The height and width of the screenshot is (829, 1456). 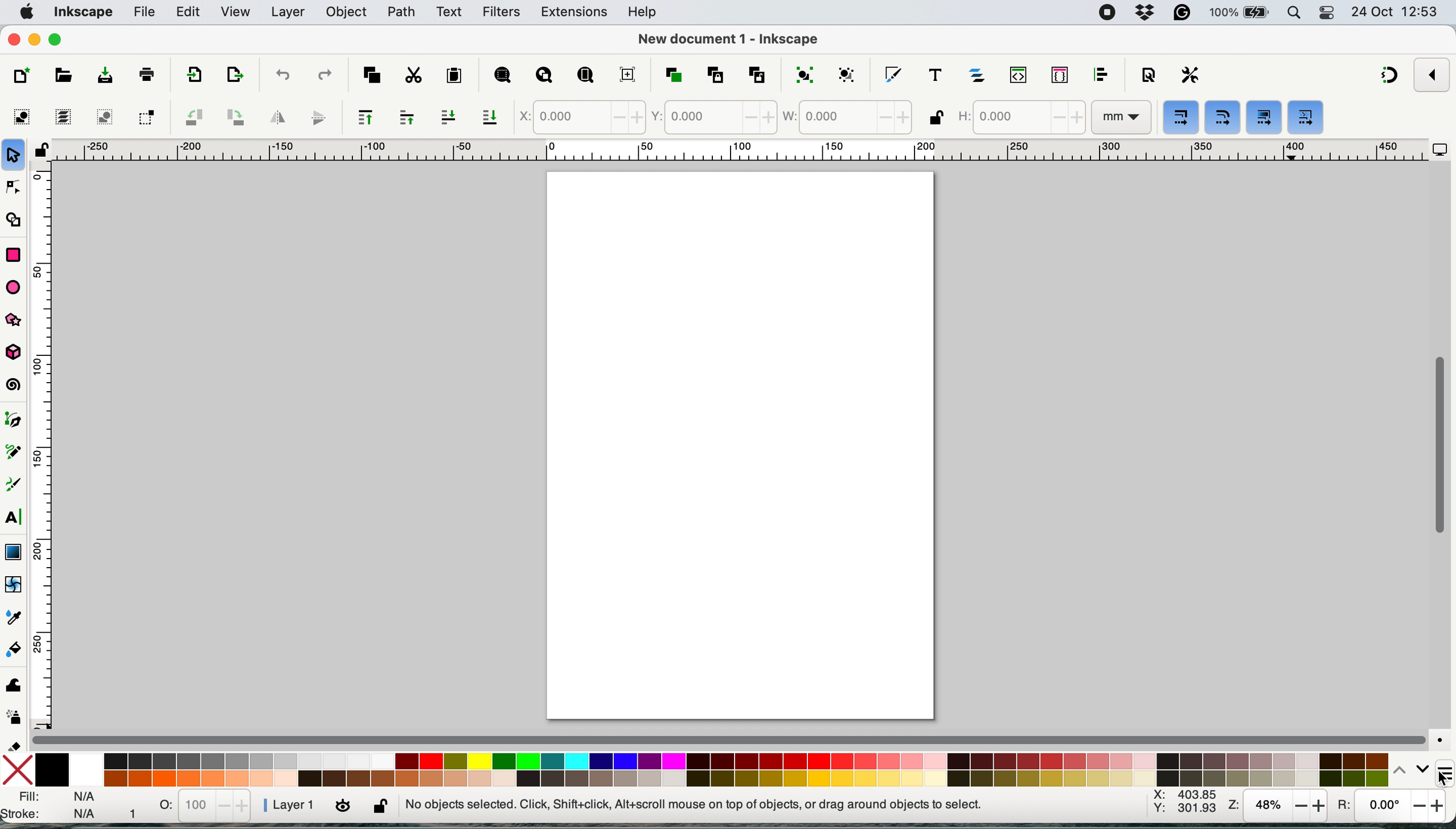 What do you see at coordinates (452, 117) in the screenshot?
I see `lower selection one step` at bounding box center [452, 117].